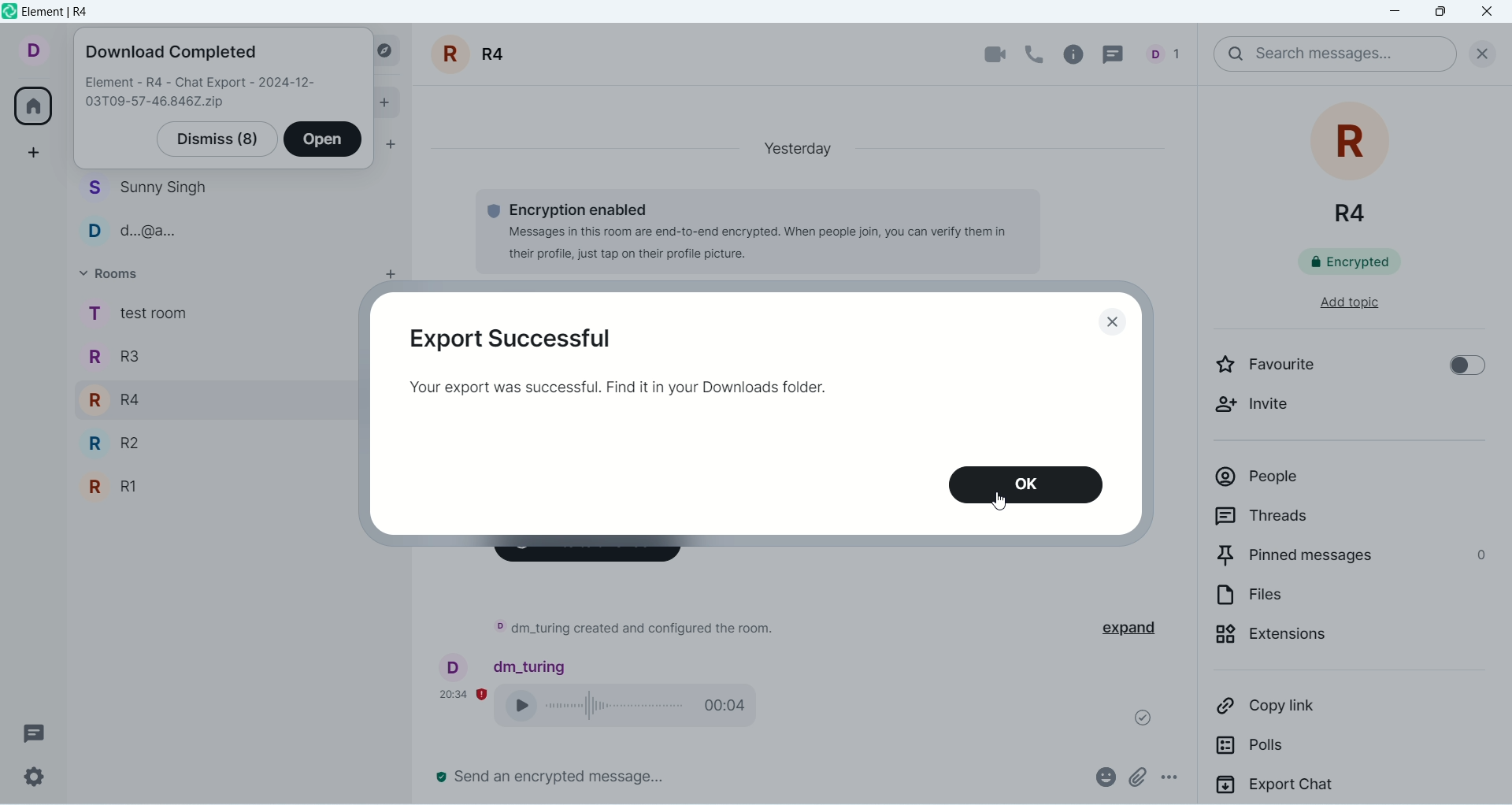  Describe the element at coordinates (1503, 444) in the screenshot. I see `vertical scroll bar` at that location.